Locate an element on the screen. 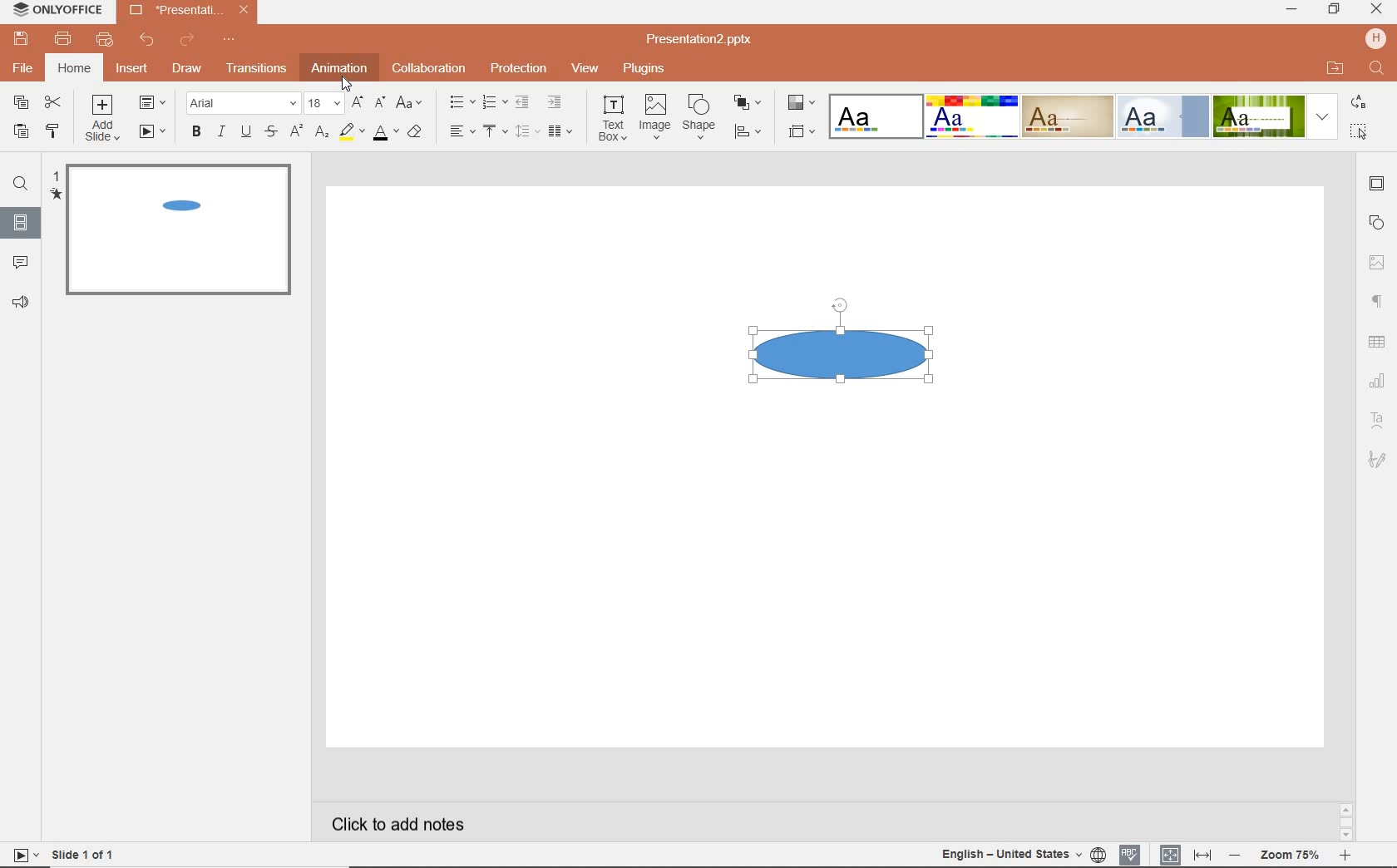 The width and height of the screenshot is (1397, 868). slide 1 of 1 is located at coordinates (62, 856).